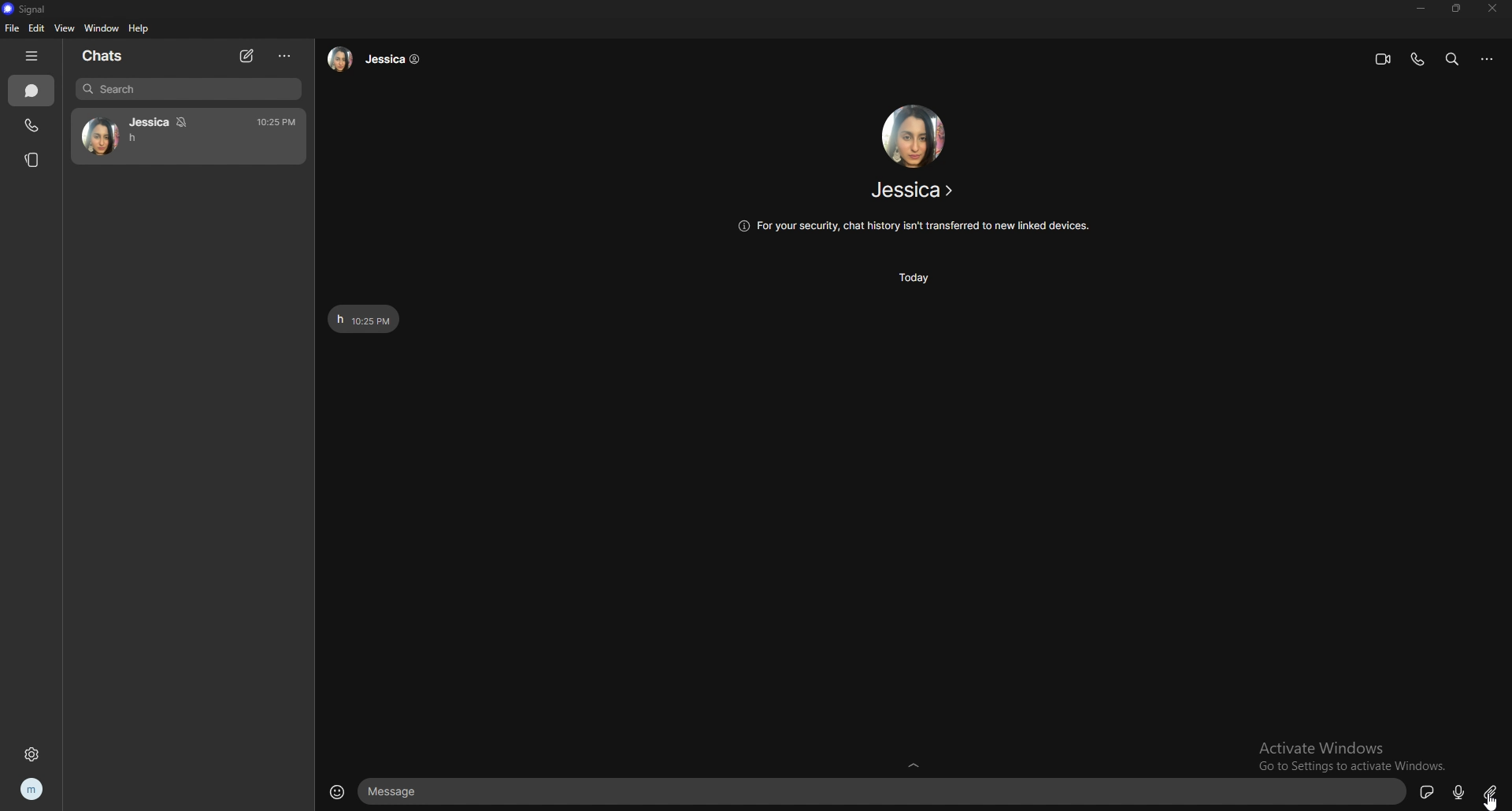  I want to click on chats, so click(31, 91).